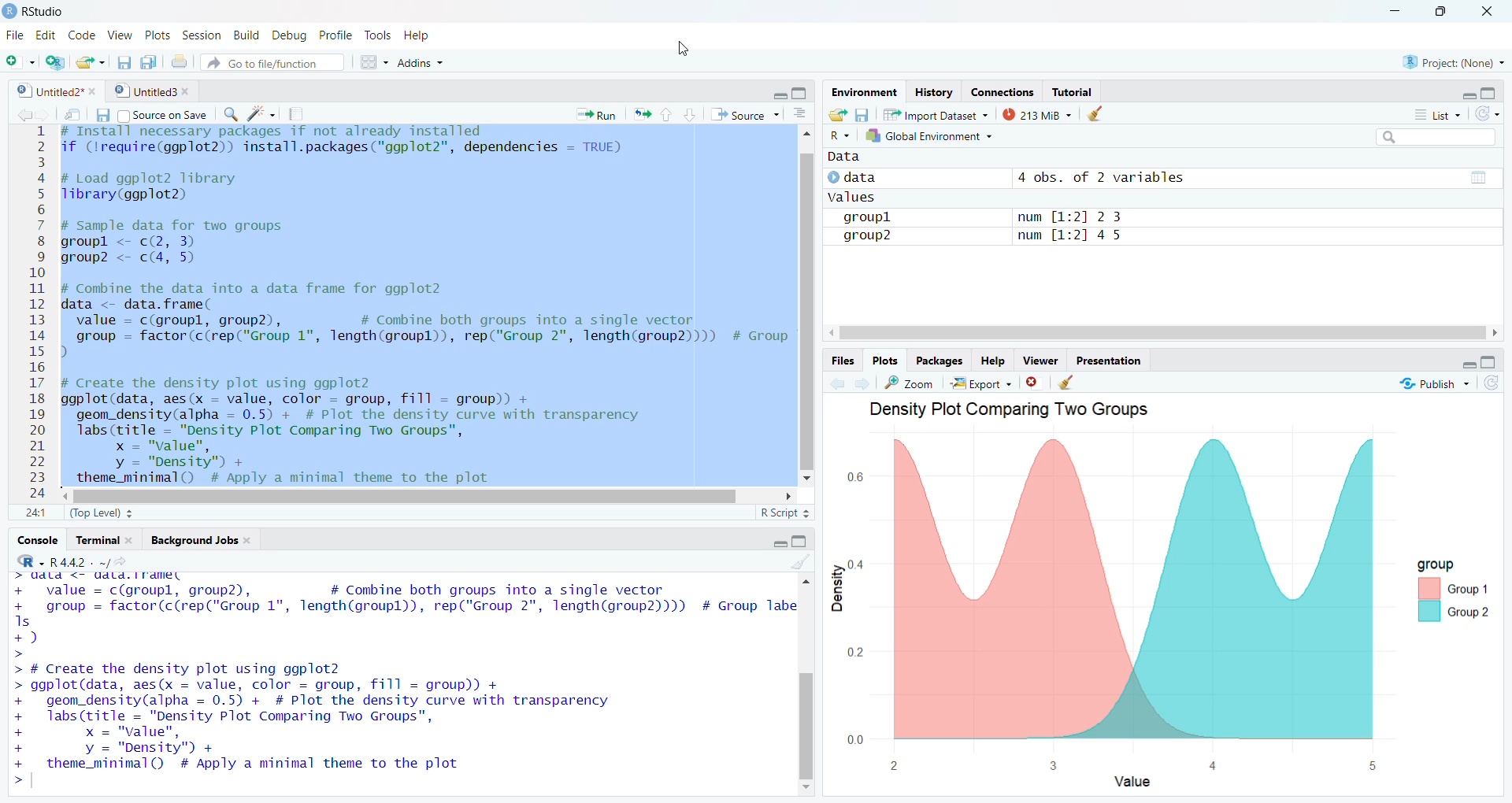 Image resolution: width=1512 pixels, height=803 pixels. Describe the element at coordinates (850, 159) in the screenshot. I see `data` at that location.